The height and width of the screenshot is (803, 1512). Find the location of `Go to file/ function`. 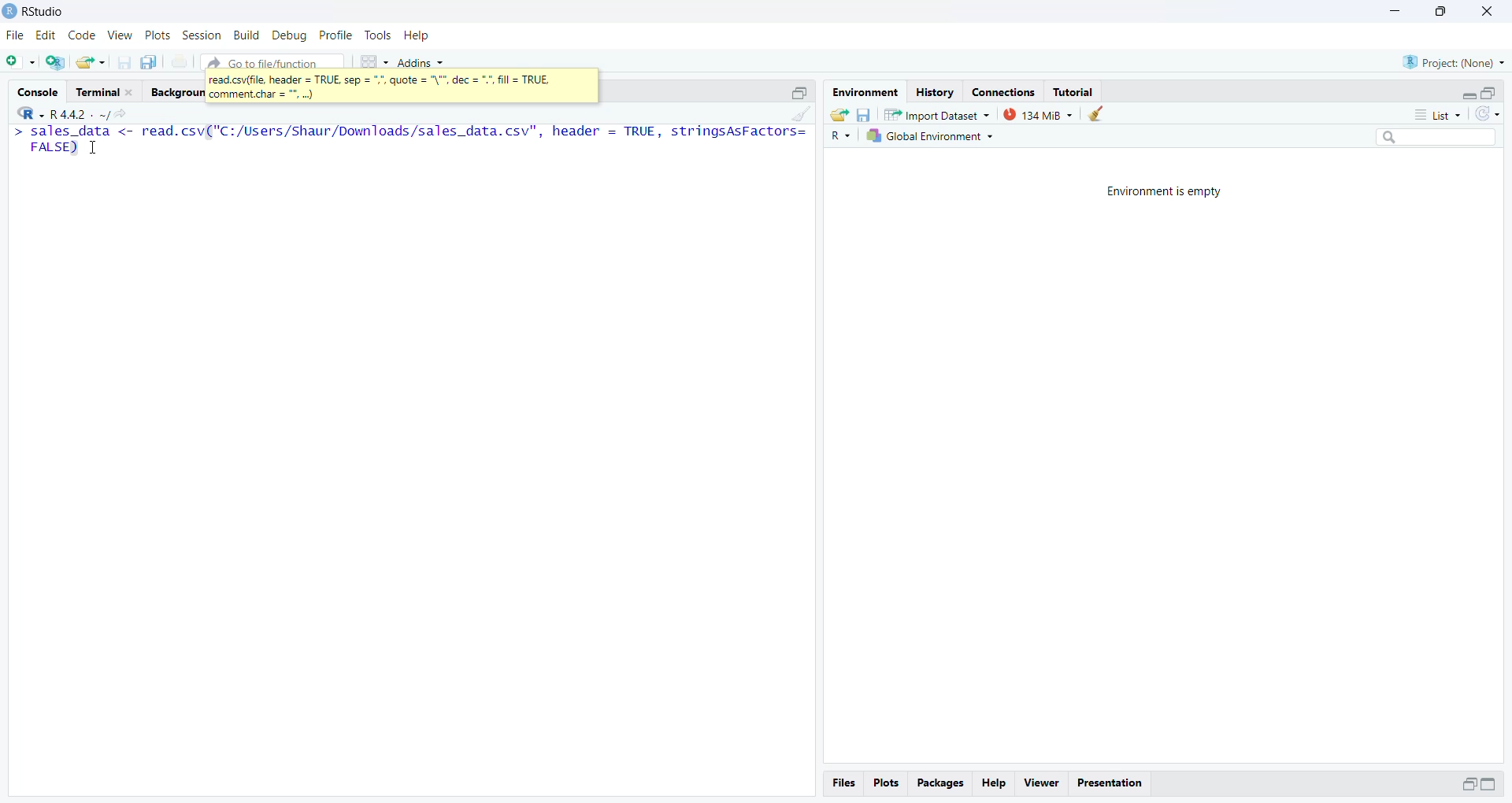

Go to file/ function is located at coordinates (265, 62).